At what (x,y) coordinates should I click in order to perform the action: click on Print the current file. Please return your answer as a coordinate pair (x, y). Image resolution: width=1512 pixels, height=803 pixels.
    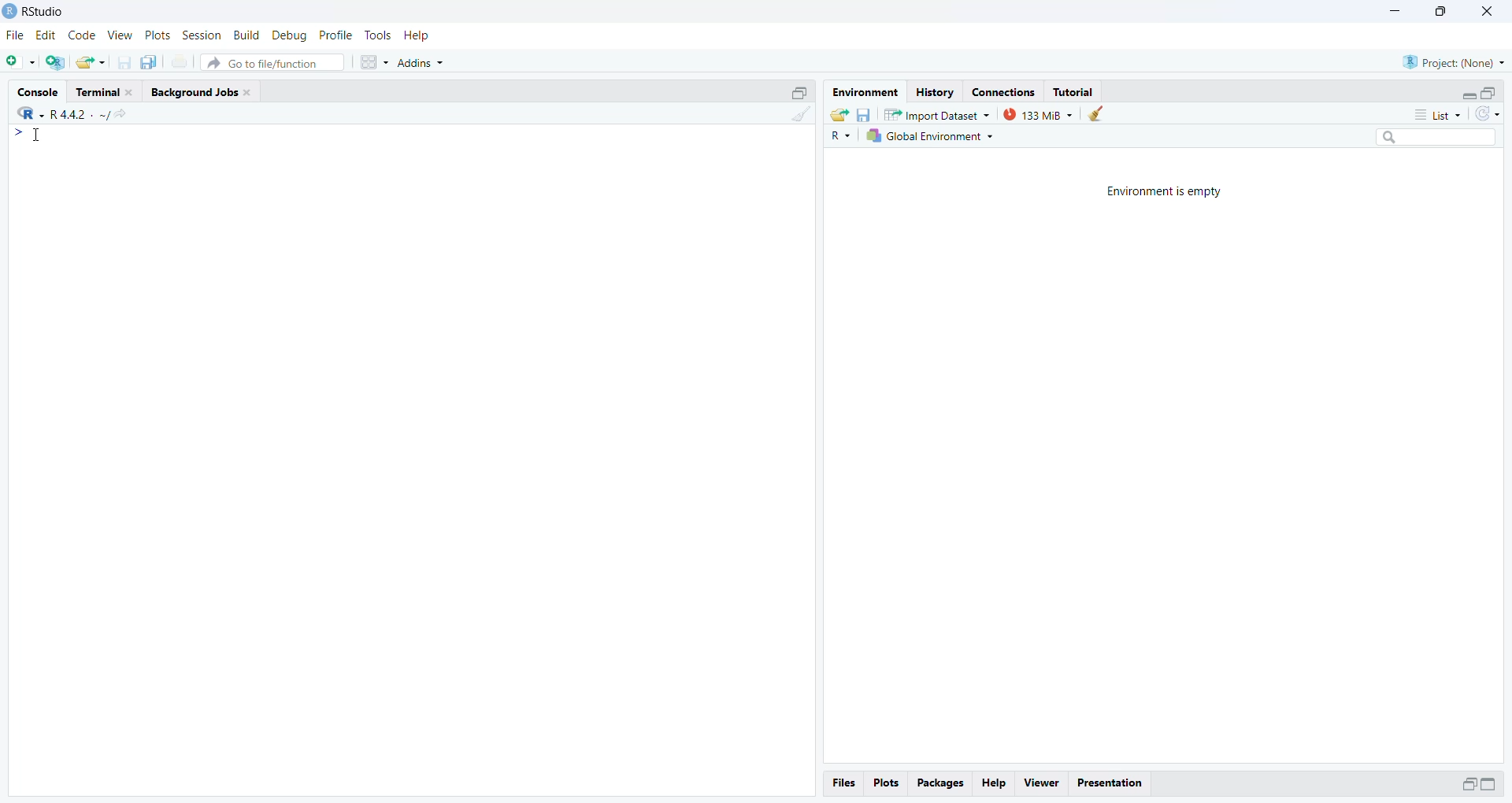
    Looking at the image, I should click on (178, 64).